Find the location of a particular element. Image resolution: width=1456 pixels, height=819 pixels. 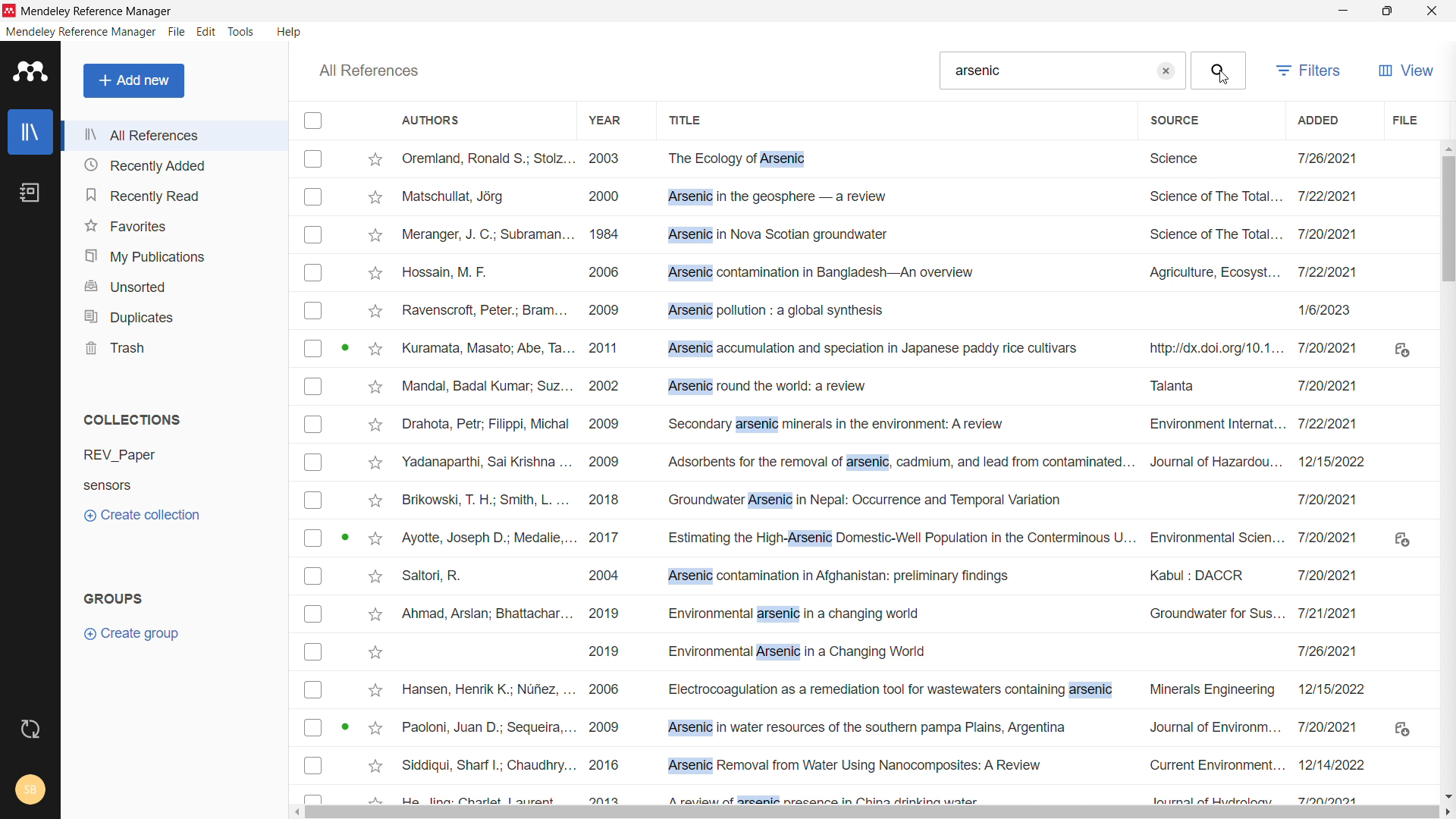

Kuramata, Masato; Abe, Ta... 2011 Arsenic accumulation and speciation in Japanese paddy rice cultivars http://dx.doi.org/10.1... 7/20/2021 is located at coordinates (878, 350).